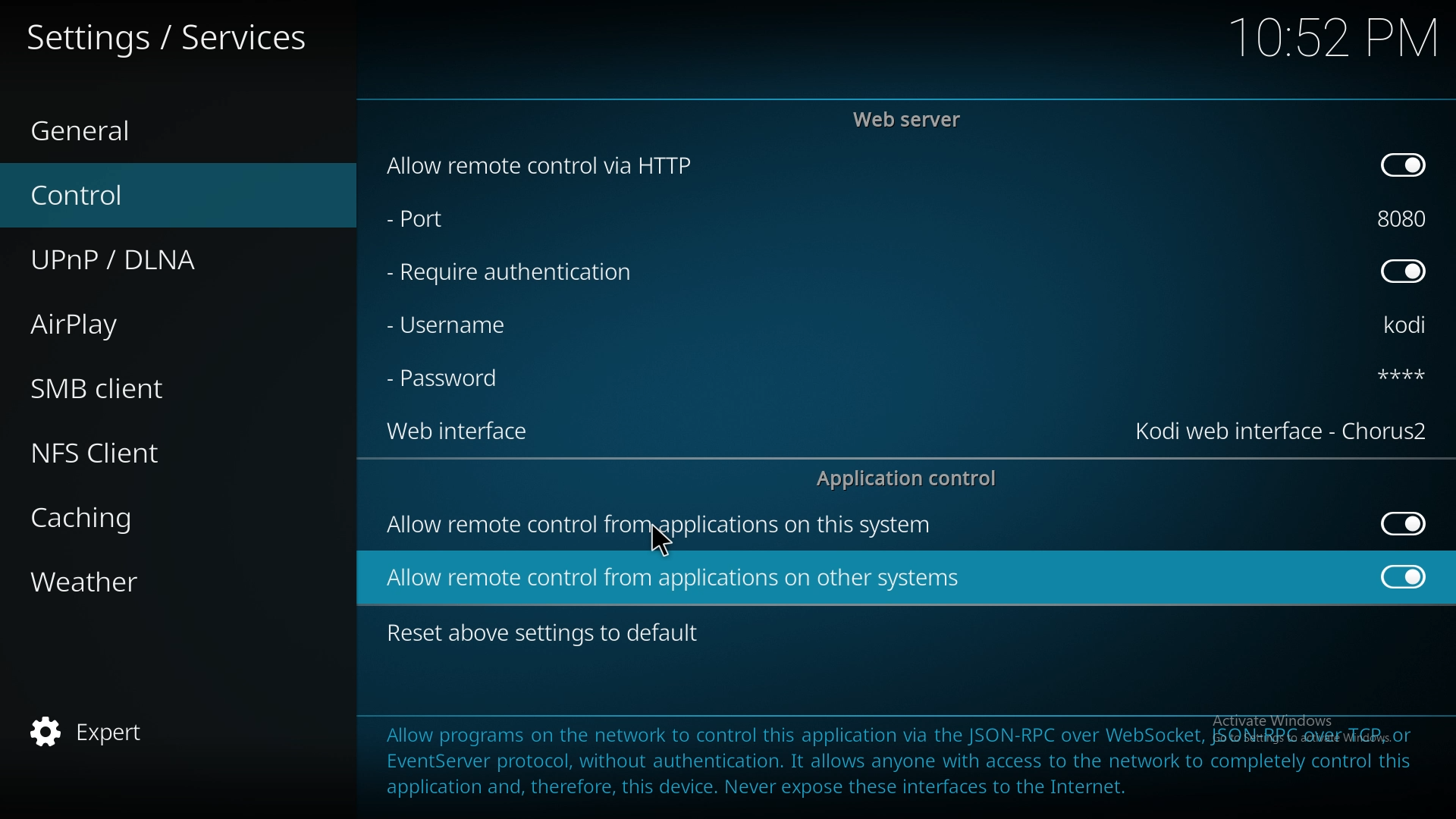 Image resolution: width=1456 pixels, height=819 pixels. I want to click on username, so click(1409, 327).